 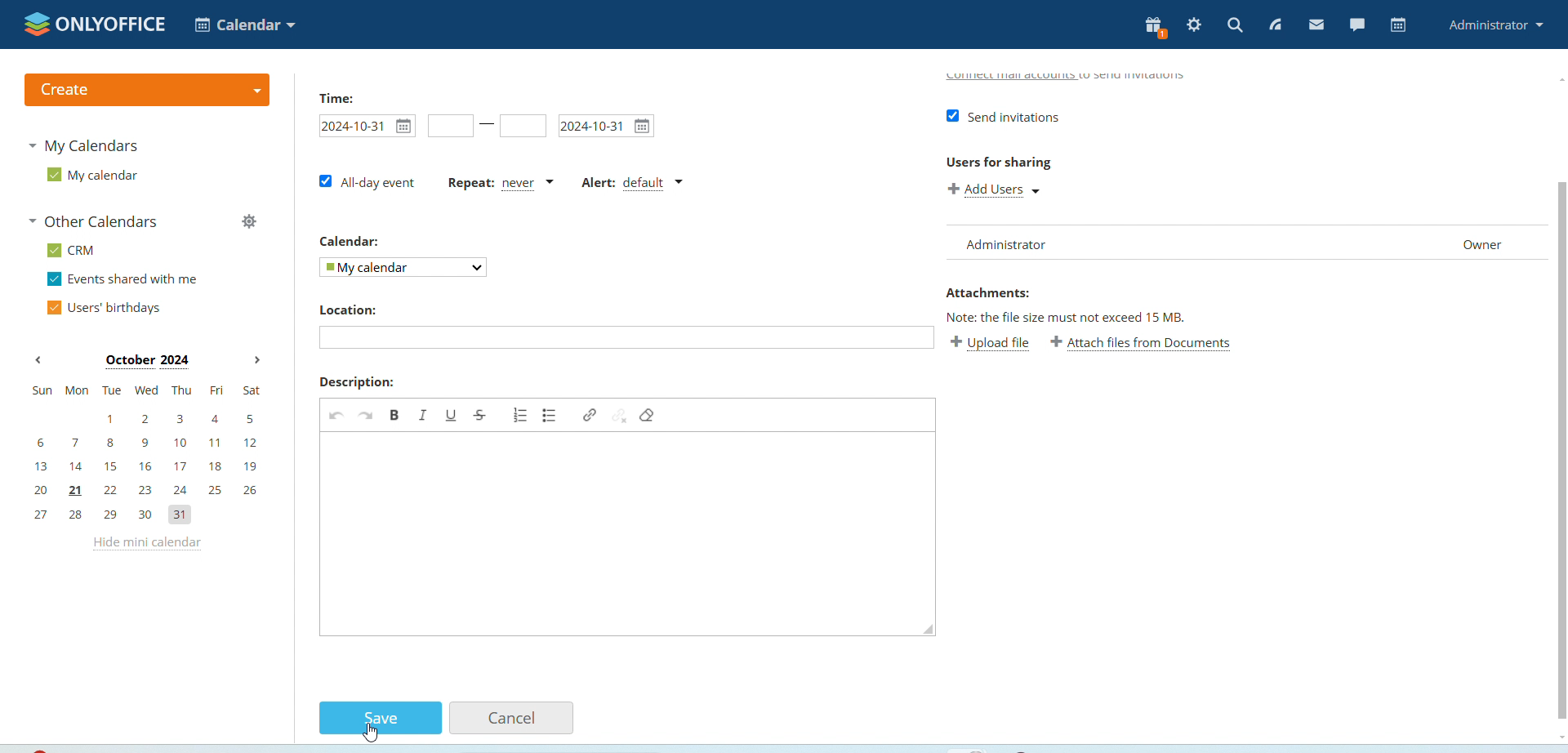 What do you see at coordinates (626, 337) in the screenshot?
I see `Add location` at bounding box center [626, 337].